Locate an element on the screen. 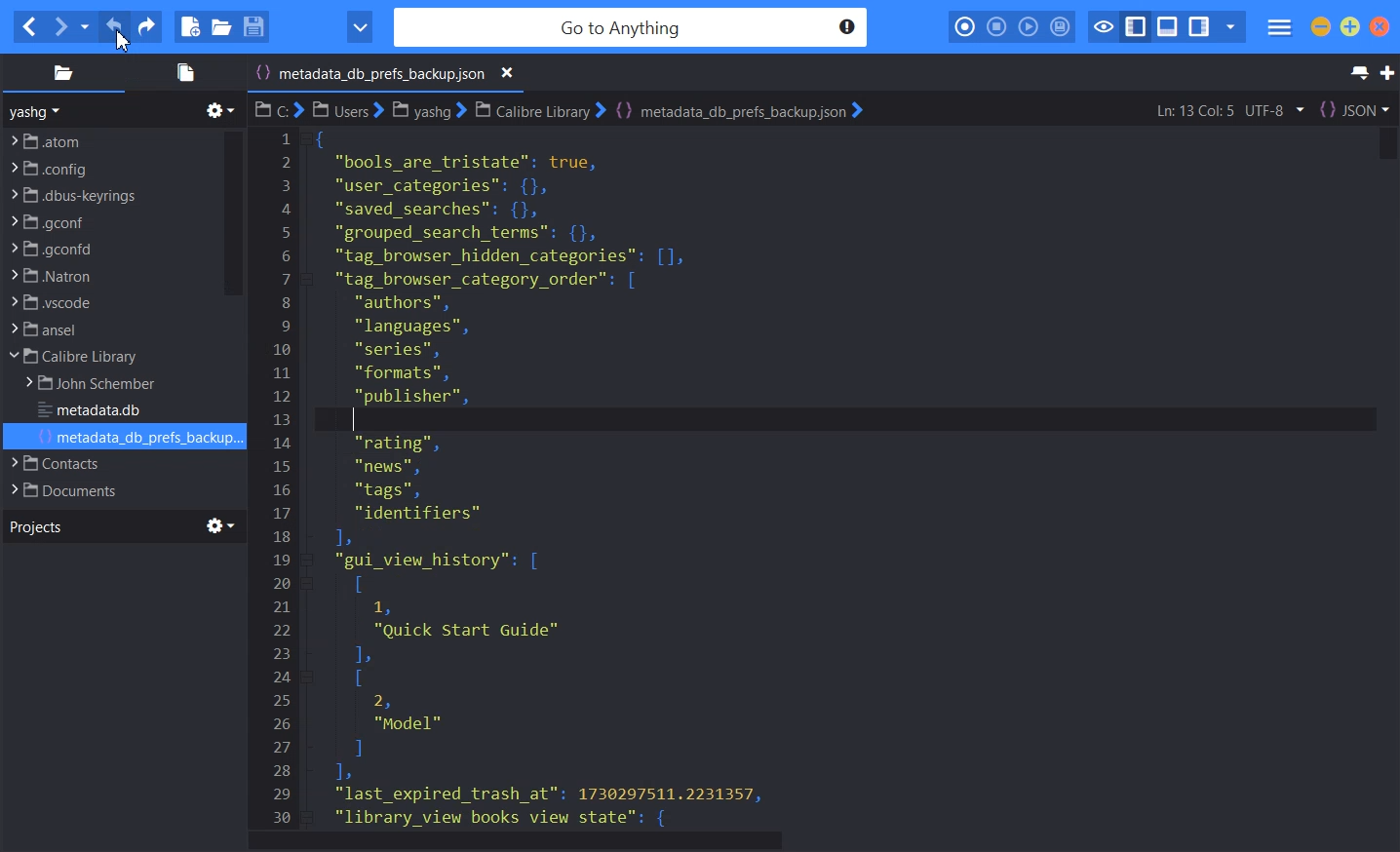 This screenshot has height=852, width=1400. Save file is located at coordinates (253, 26).